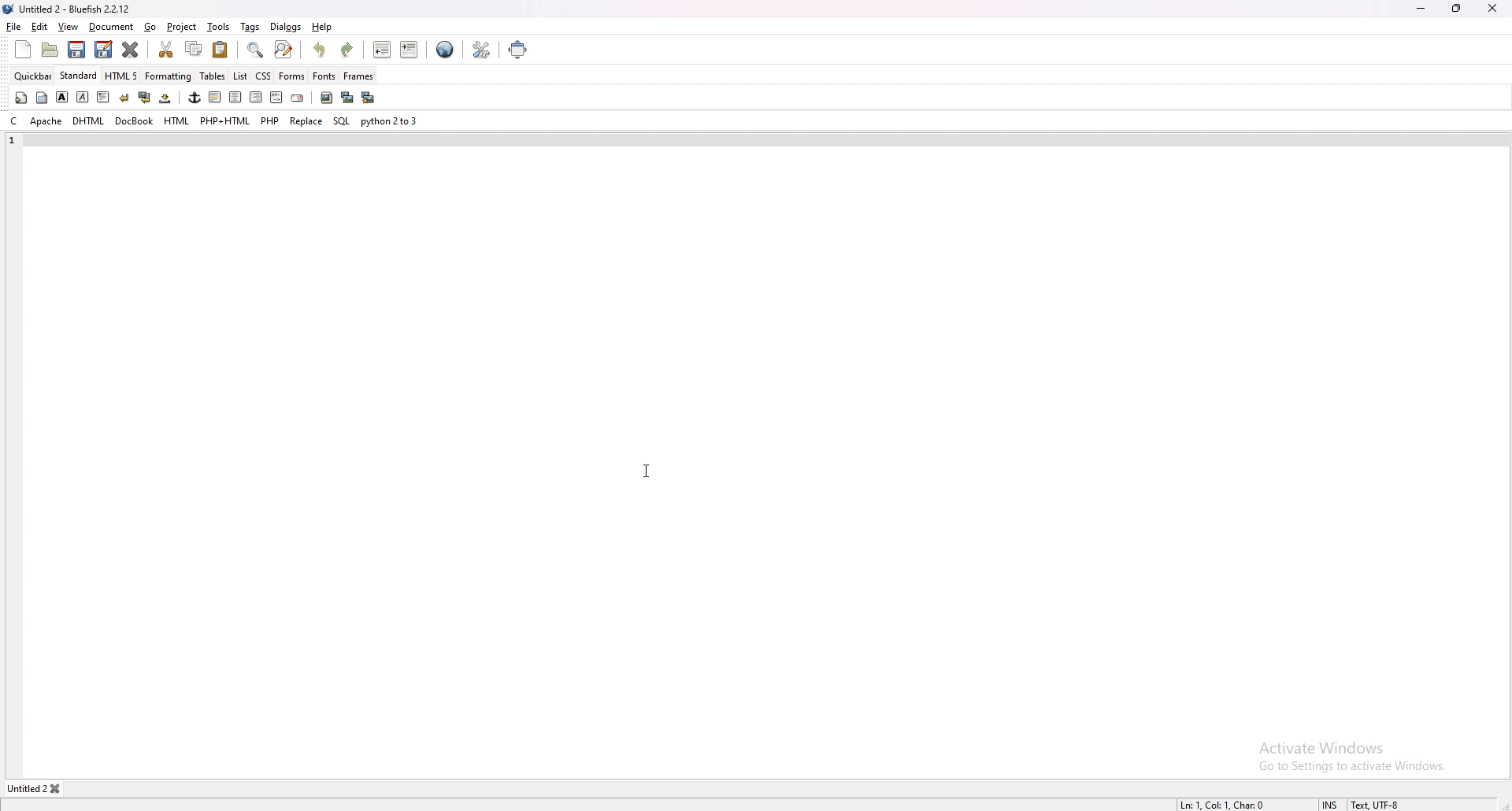  What do you see at coordinates (216, 97) in the screenshot?
I see `left justify` at bounding box center [216, 97].